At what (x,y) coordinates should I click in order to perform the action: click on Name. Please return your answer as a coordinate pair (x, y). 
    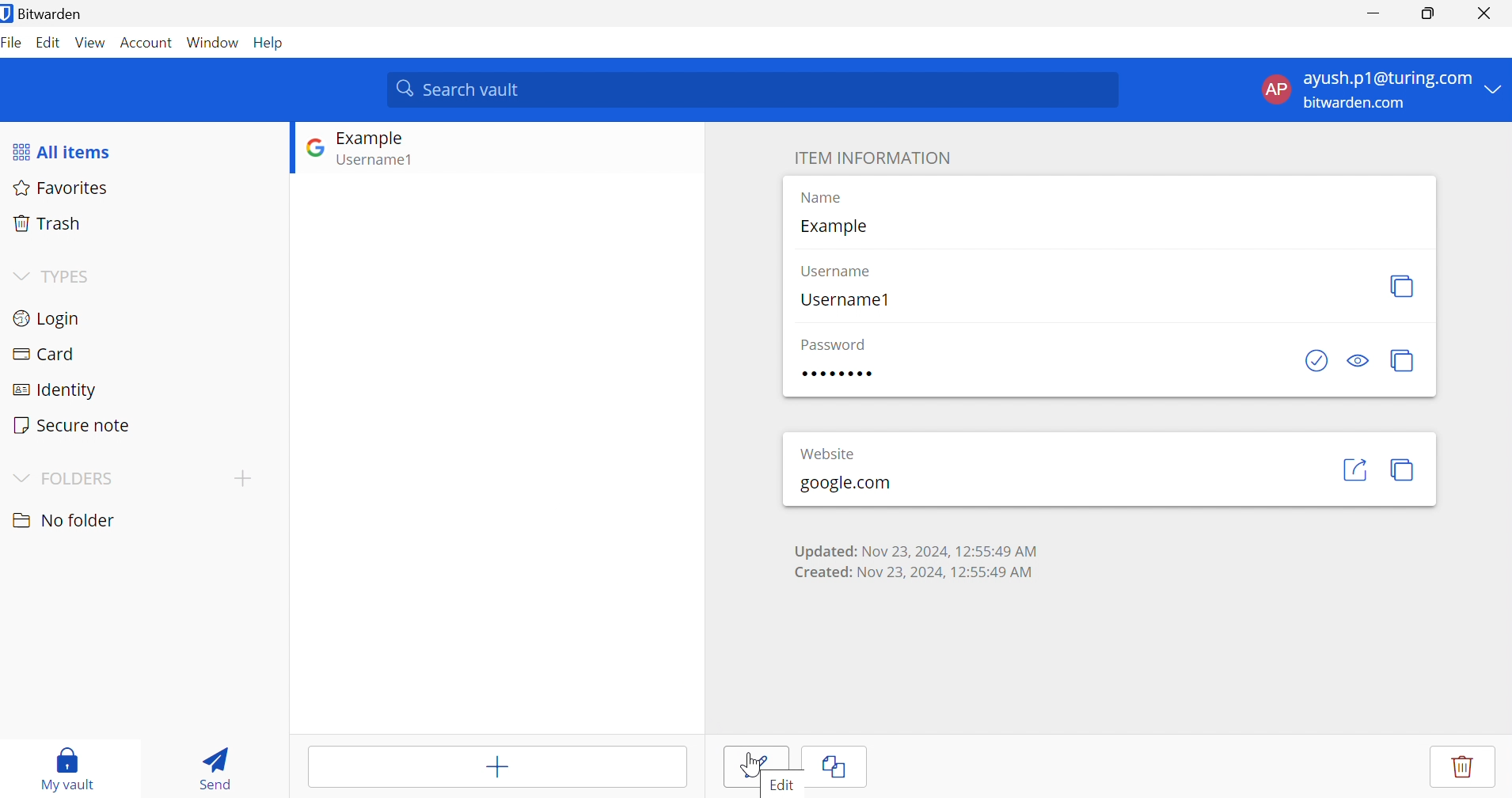
    Looking at the image, I should click on (820, 197).